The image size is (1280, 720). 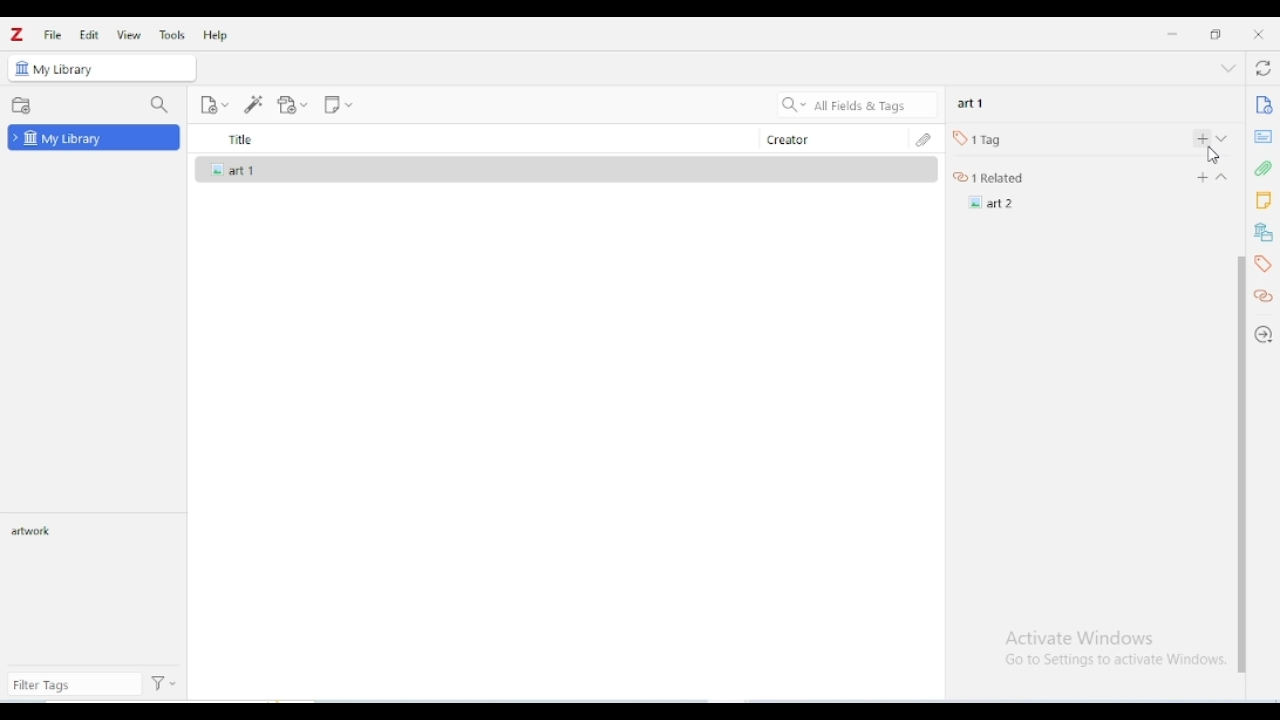 What do you see at coordinates (565, 169) in the screenshot?
I see `art 1` at bounding box center [565, 169].